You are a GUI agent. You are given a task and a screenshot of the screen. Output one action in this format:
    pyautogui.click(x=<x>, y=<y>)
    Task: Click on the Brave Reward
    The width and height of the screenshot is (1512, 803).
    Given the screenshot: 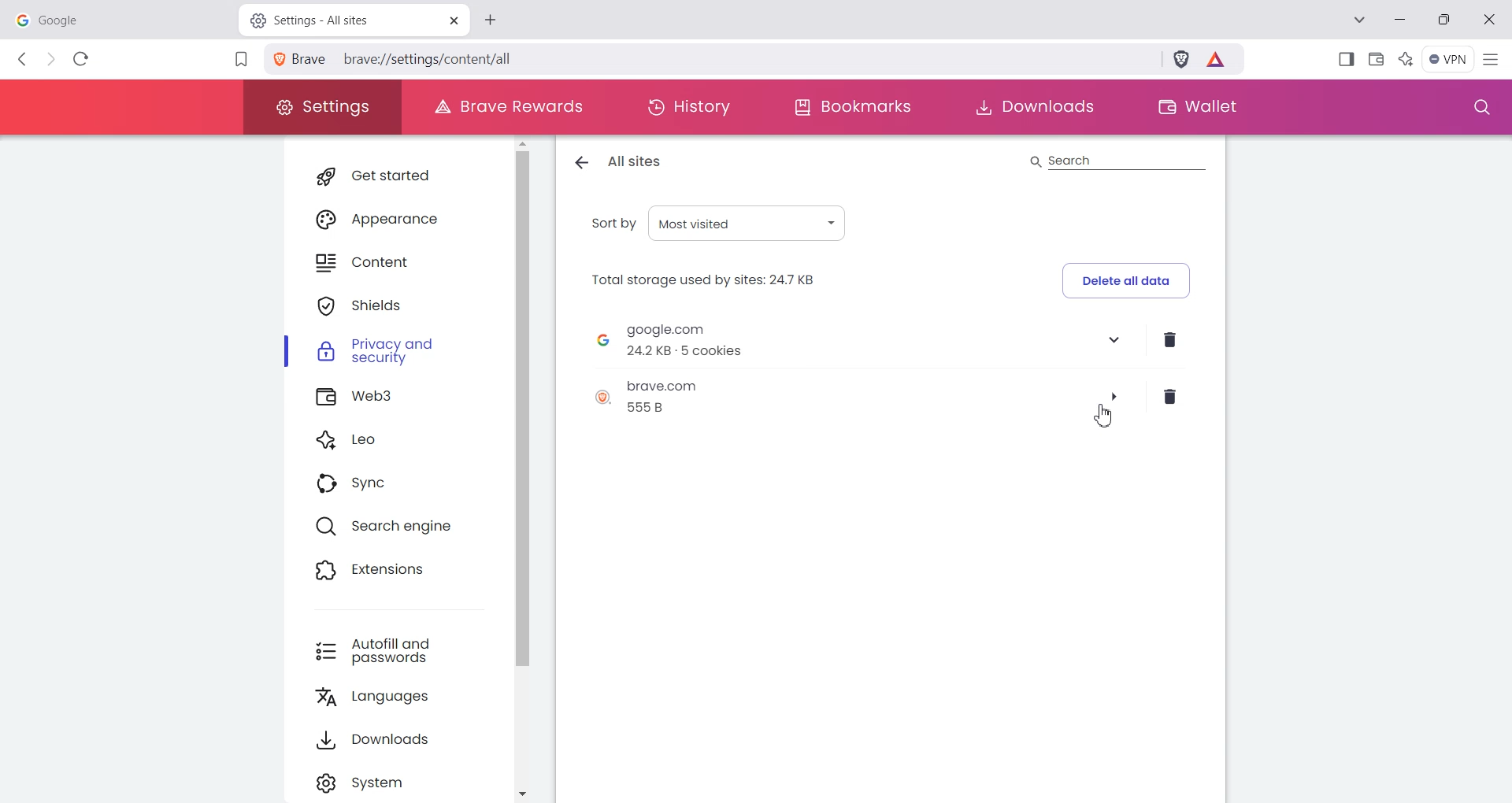 What is the action you would take?
    pyautogui.click(x=1217, y=61)
    